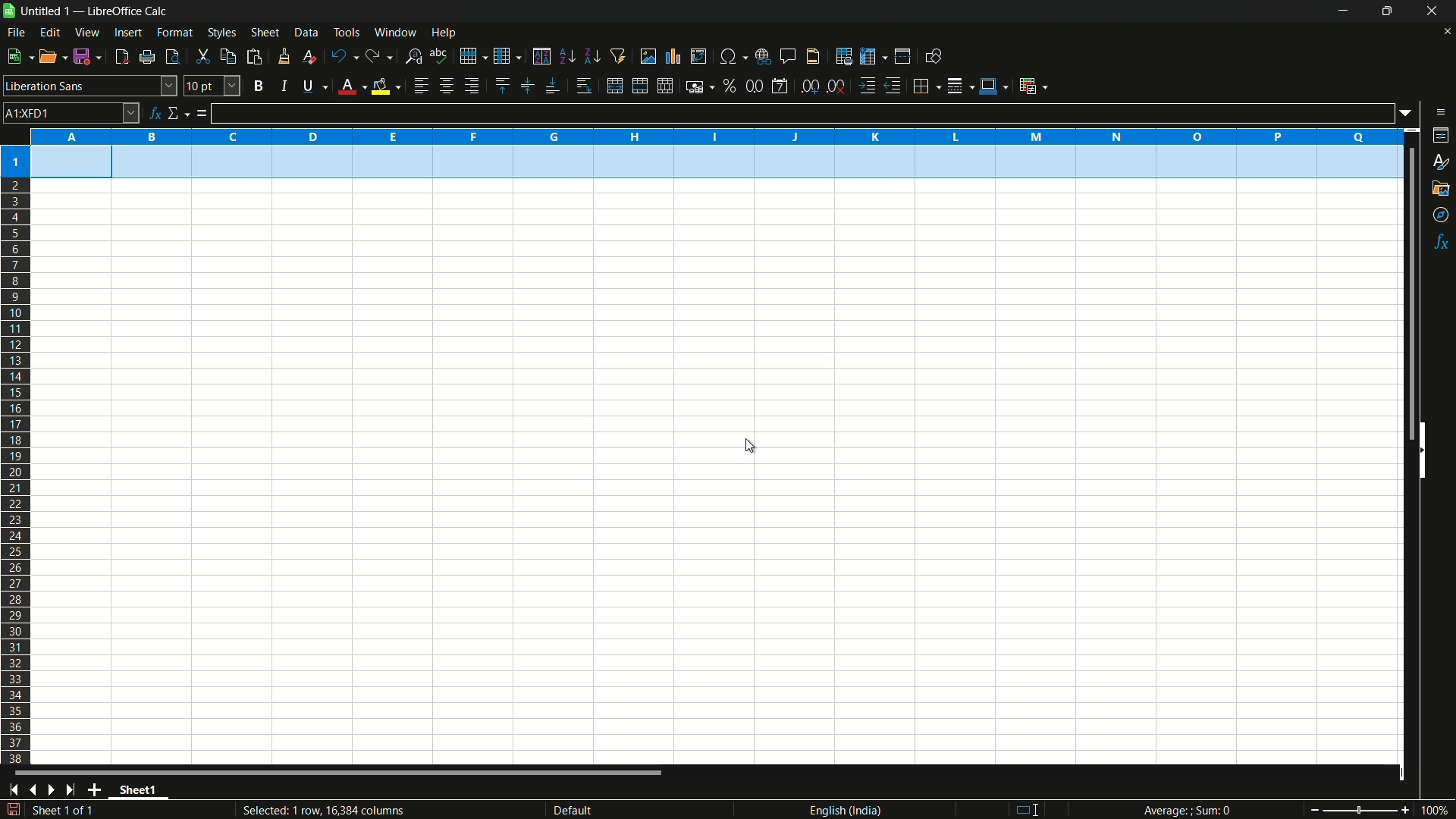 The height and width of the screenshot is (819, 1456). What do you see at coordinates (587, 86) in the screenshot?
I see `wrap text` at bounding box center [587, 86].